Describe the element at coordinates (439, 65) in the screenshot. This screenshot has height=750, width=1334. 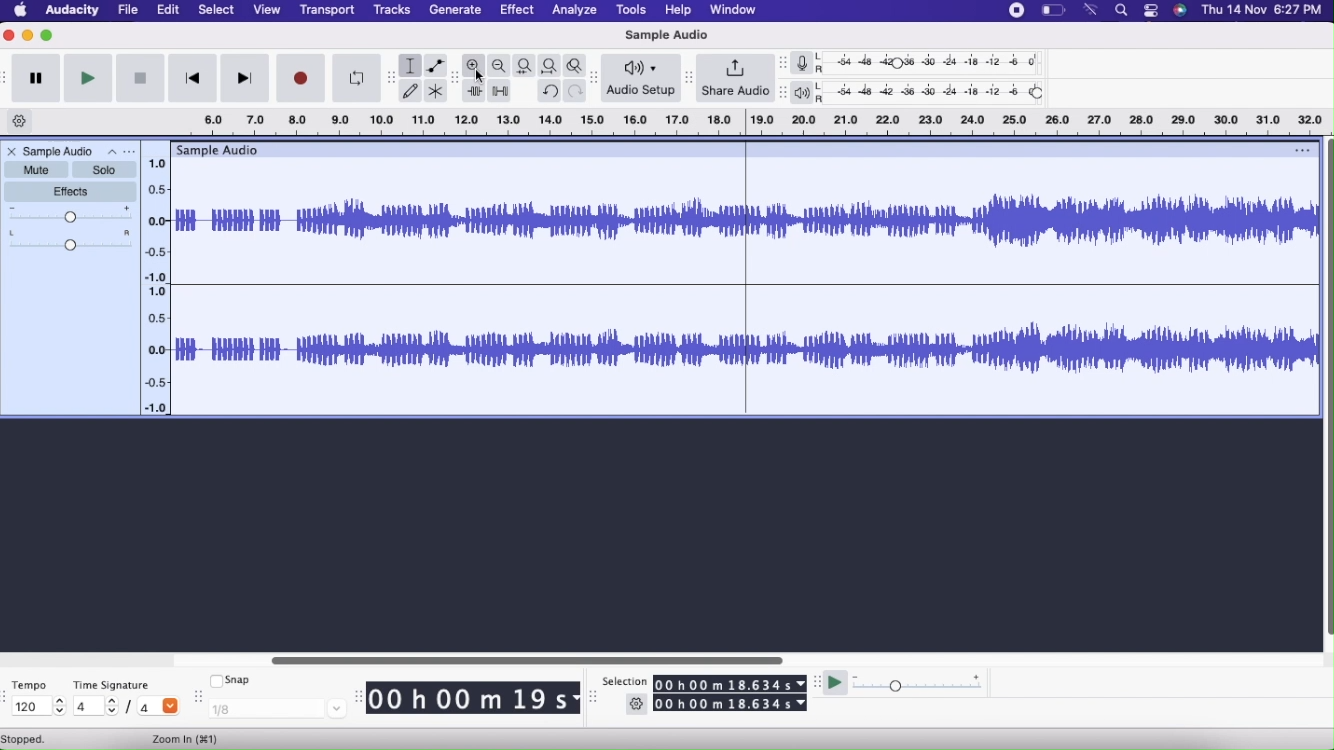
I see `Envelope tool` at that location.